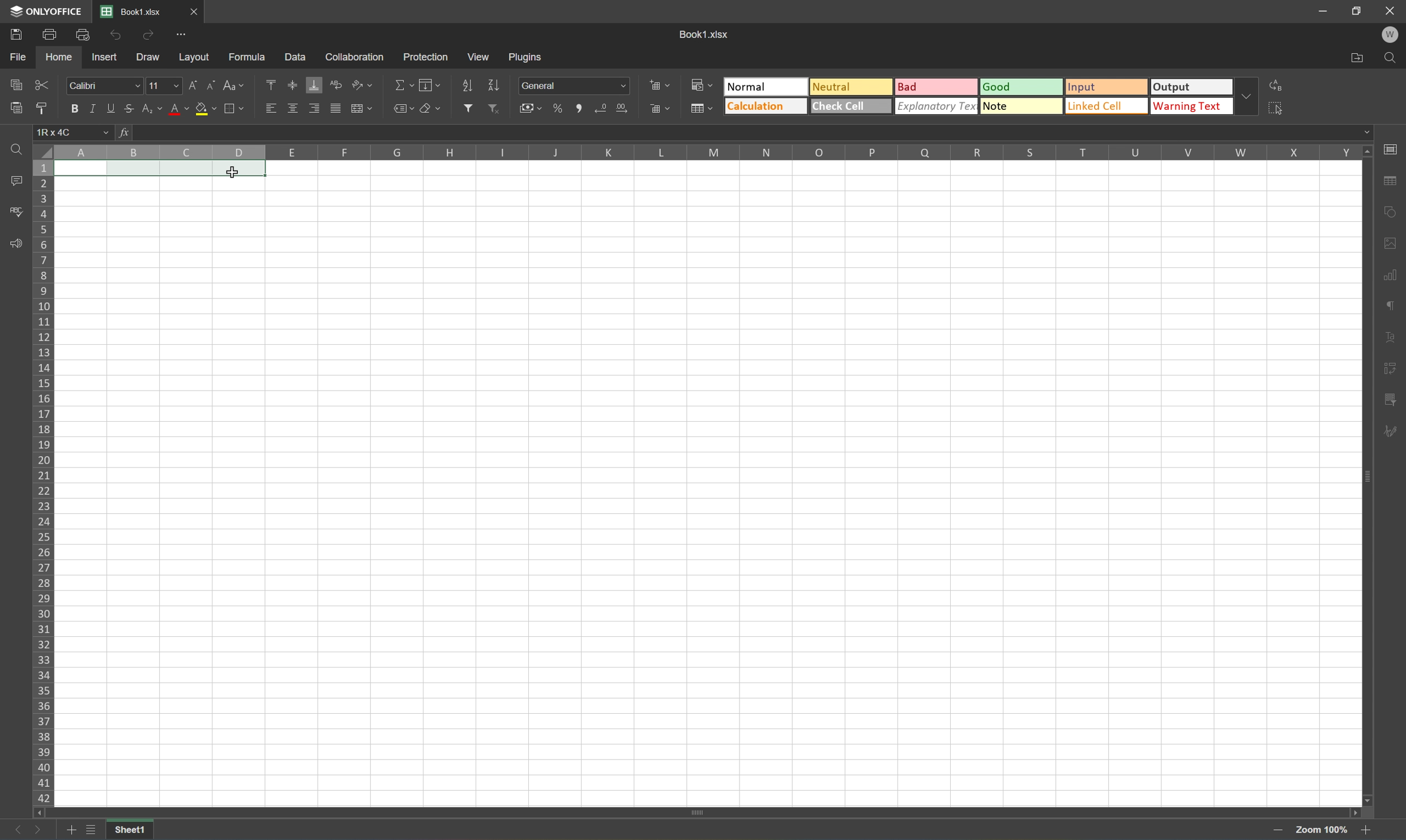 The image size is (1406, 840). I want to click on Normal, so click(767, 87).